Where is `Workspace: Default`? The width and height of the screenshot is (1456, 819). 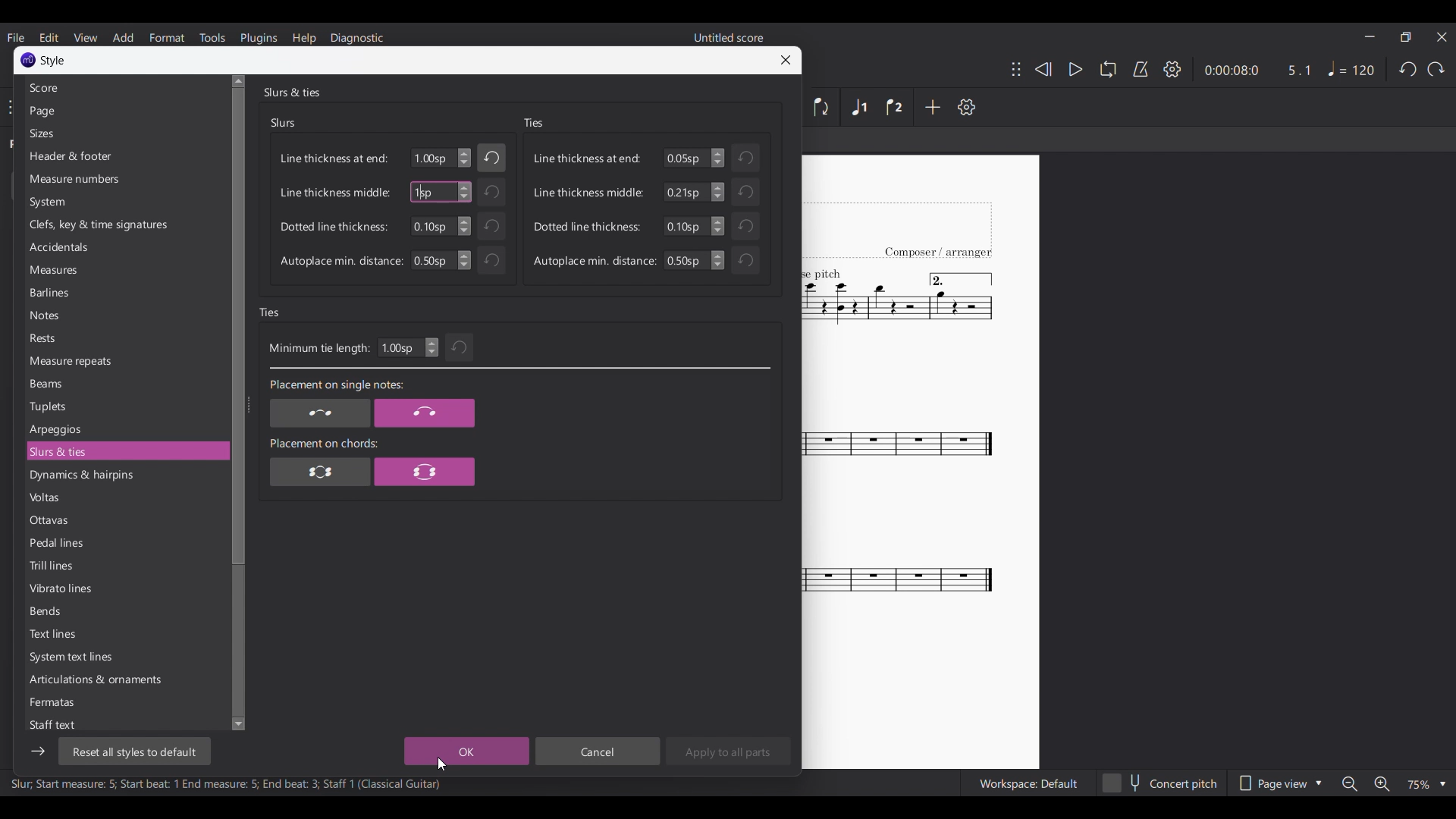 Workspace: Default is located at coordinates (1028, 783).